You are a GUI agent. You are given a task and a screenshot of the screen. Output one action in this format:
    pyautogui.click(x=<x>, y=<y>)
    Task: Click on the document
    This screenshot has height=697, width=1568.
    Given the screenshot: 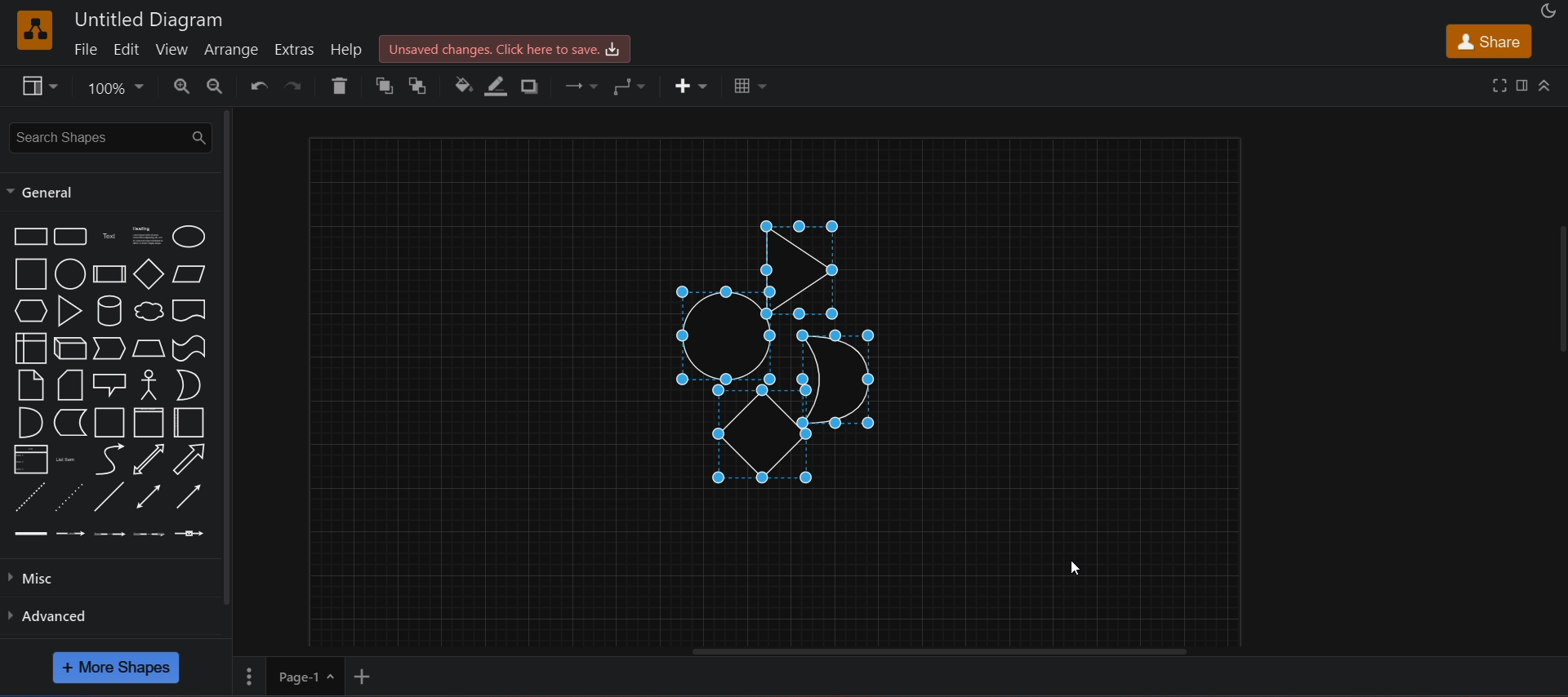 What is the action you would take?
    pyautogui.click(x=189, y=311)
    